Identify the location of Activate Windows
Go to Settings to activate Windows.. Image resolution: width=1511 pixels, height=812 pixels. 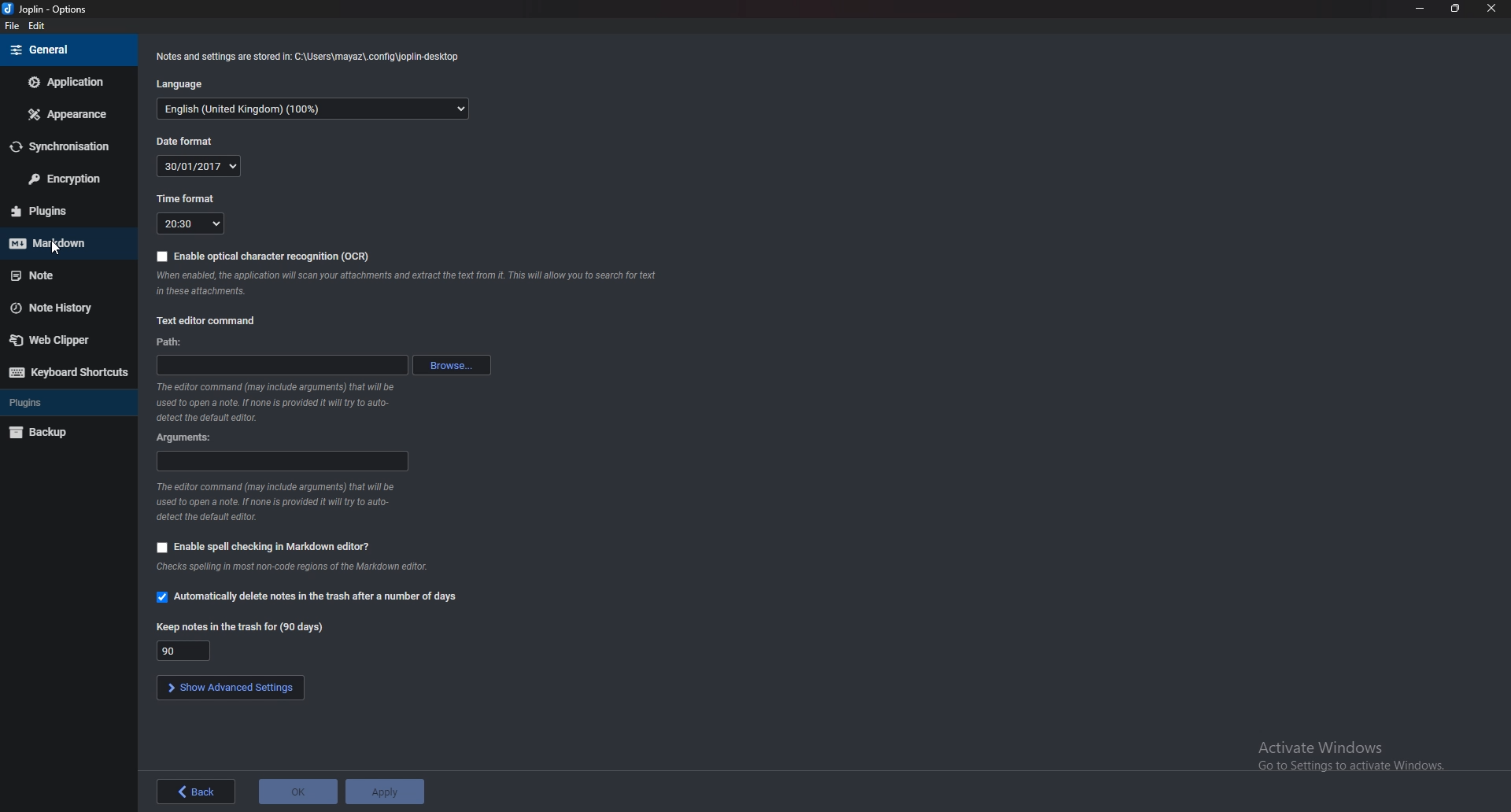
(1333, 750).